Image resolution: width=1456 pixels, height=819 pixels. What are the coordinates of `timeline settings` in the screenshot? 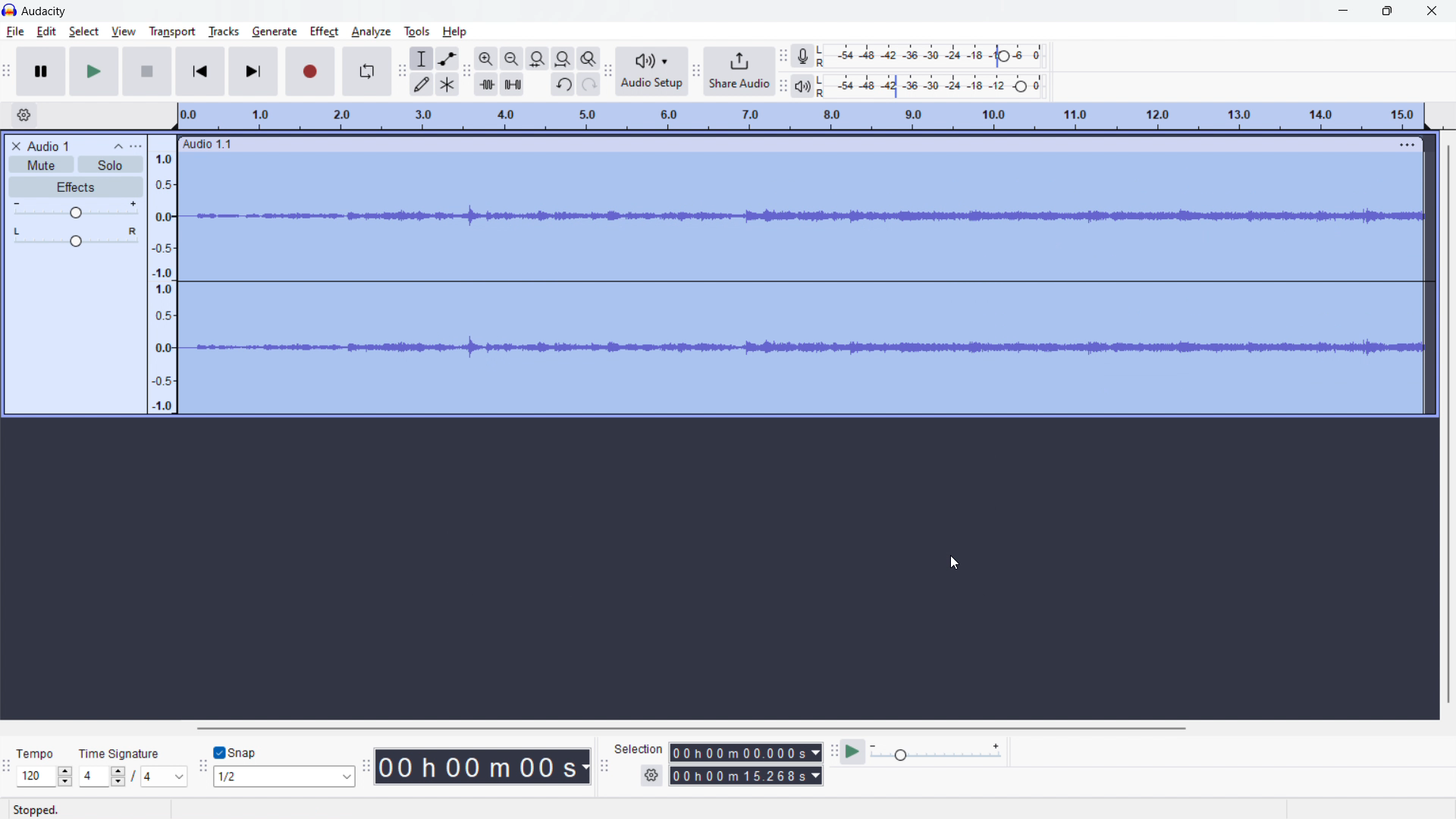 It's located at (24, 115).